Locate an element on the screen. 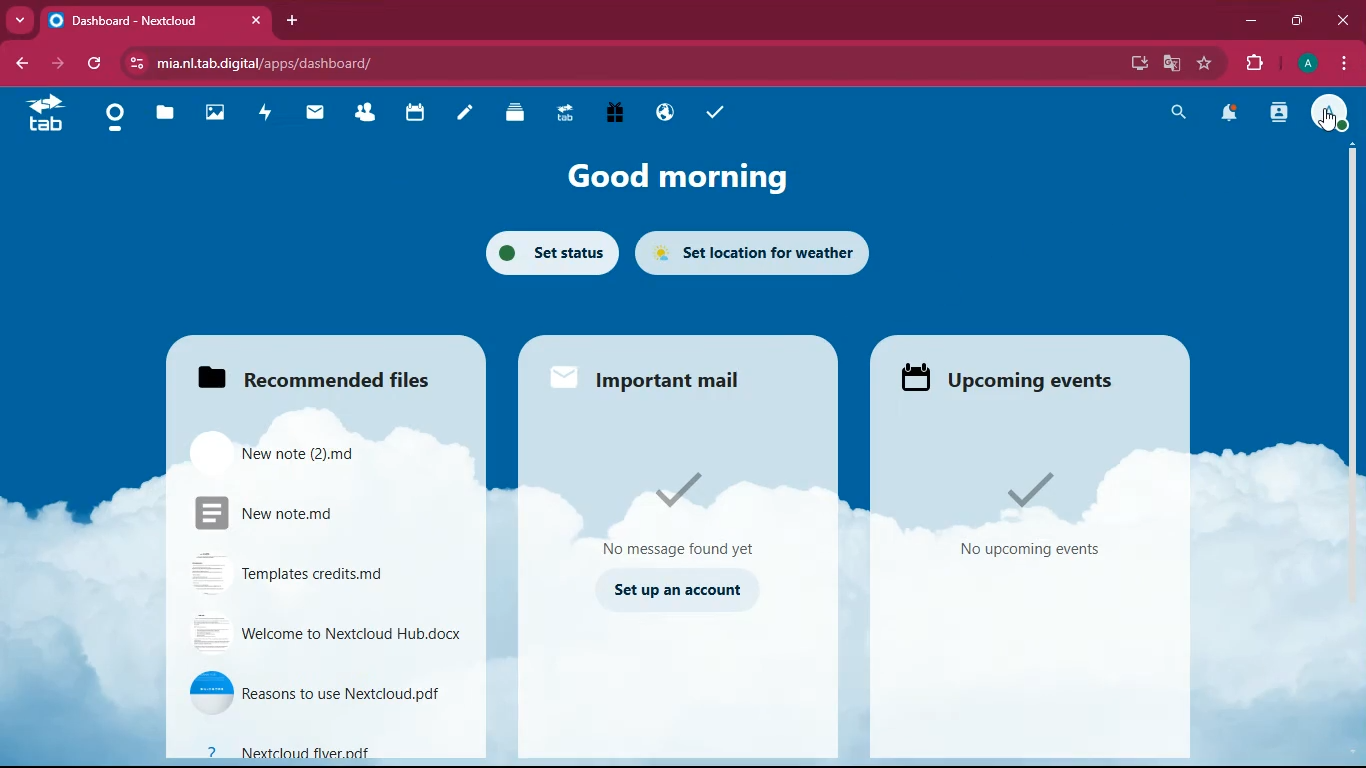 This screenshot has height=768, width=1366. good morning is located at coordinates (673, 176).